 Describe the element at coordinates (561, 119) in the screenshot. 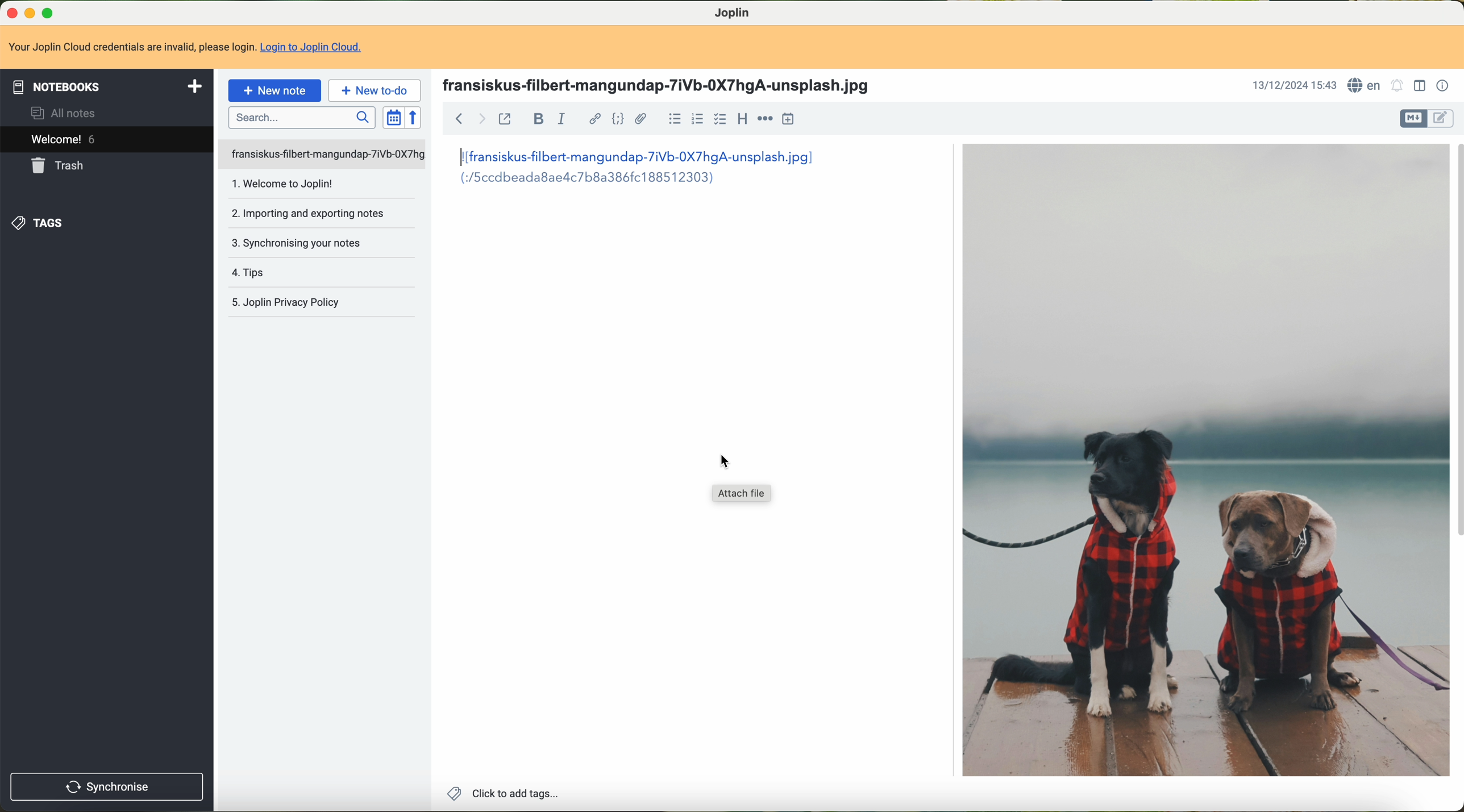

I see `italic` at that location.